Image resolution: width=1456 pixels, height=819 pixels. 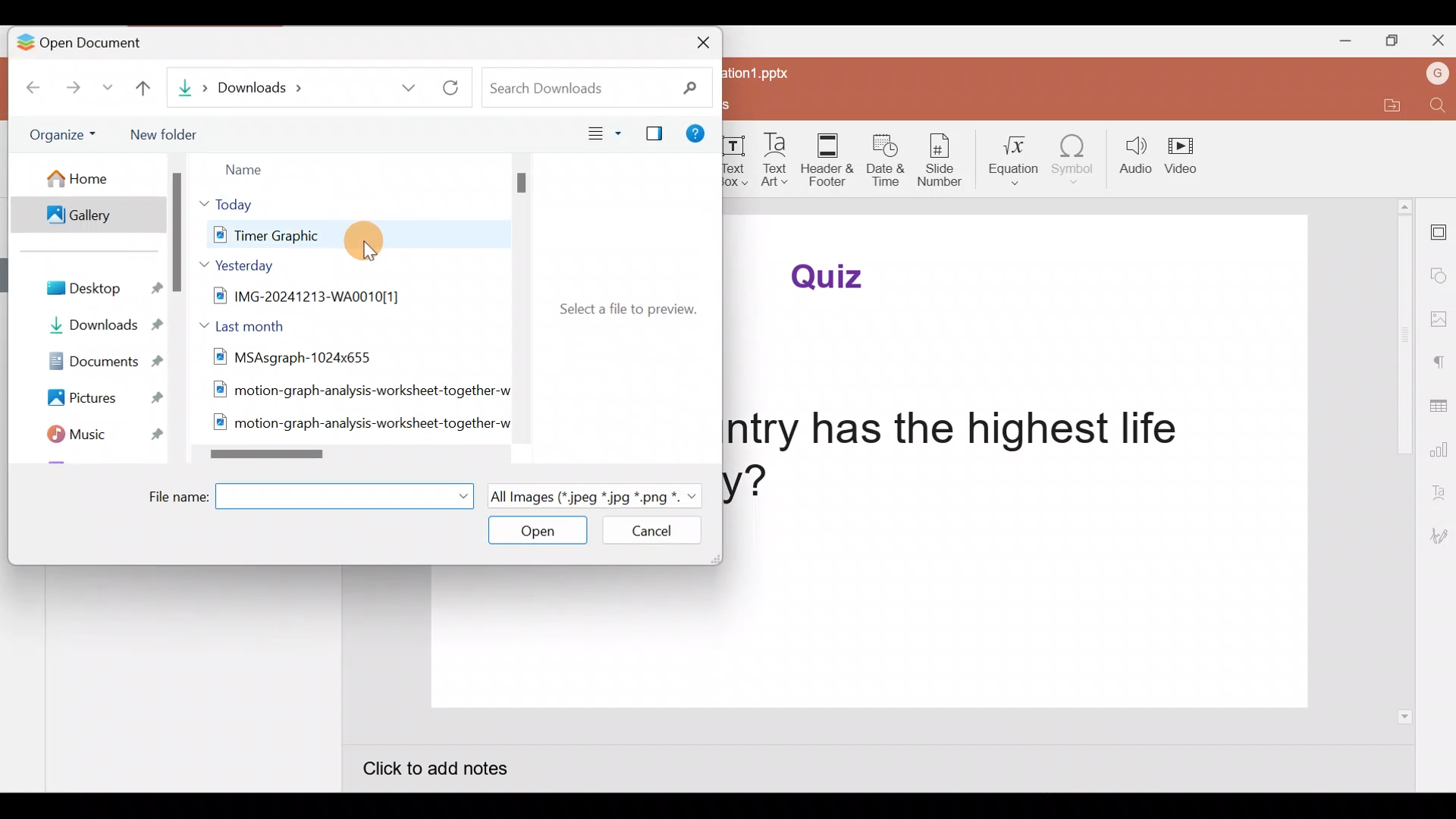 What do you see at coordinates (592, 494) in the screenshot?
I see `All Images (* jpeg *jpg *.png *. ` at bounding box center [592, 494].